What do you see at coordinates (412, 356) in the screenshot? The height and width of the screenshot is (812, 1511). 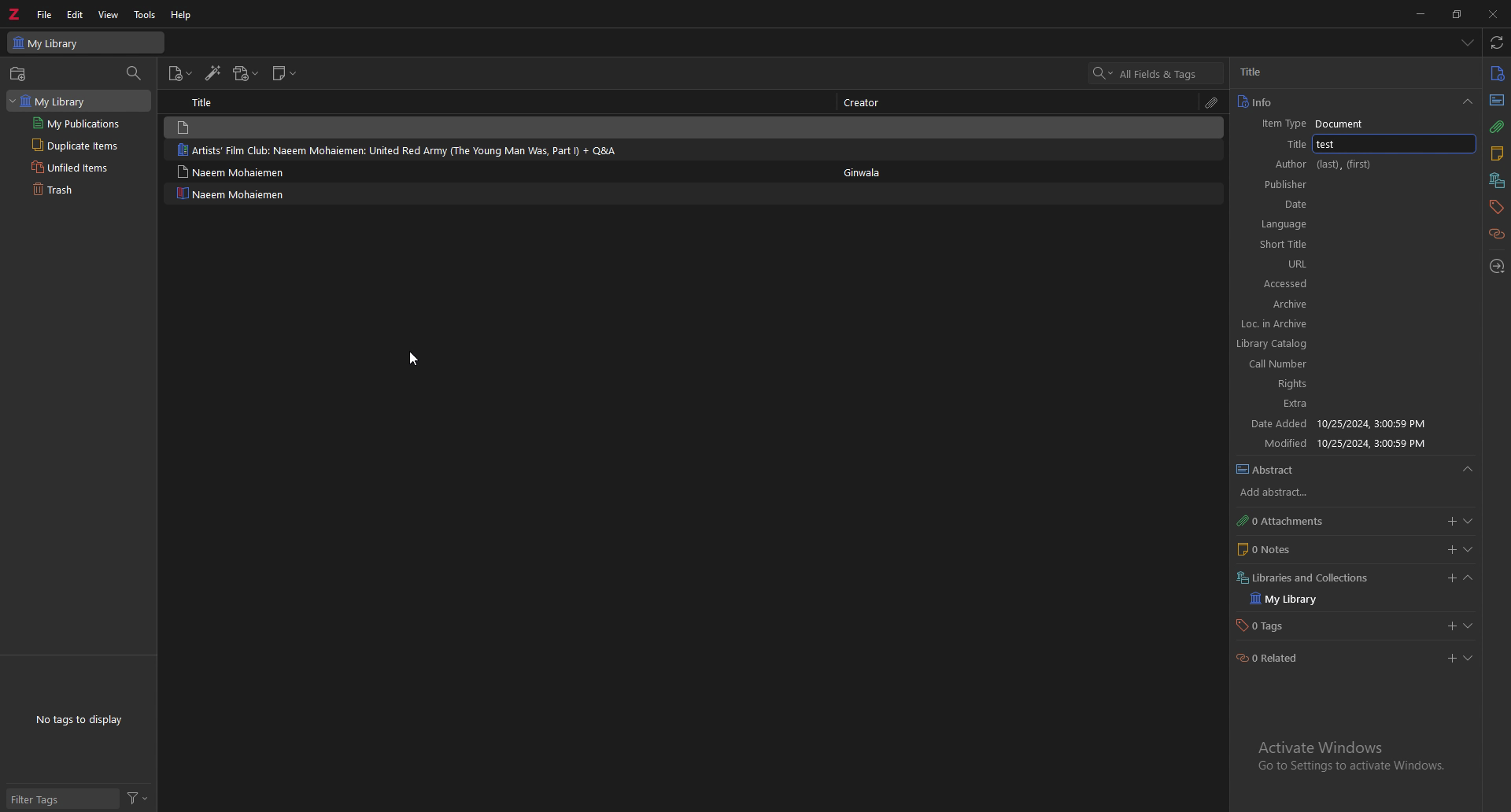 I see `Cursor` at bounding box center [412, 356].